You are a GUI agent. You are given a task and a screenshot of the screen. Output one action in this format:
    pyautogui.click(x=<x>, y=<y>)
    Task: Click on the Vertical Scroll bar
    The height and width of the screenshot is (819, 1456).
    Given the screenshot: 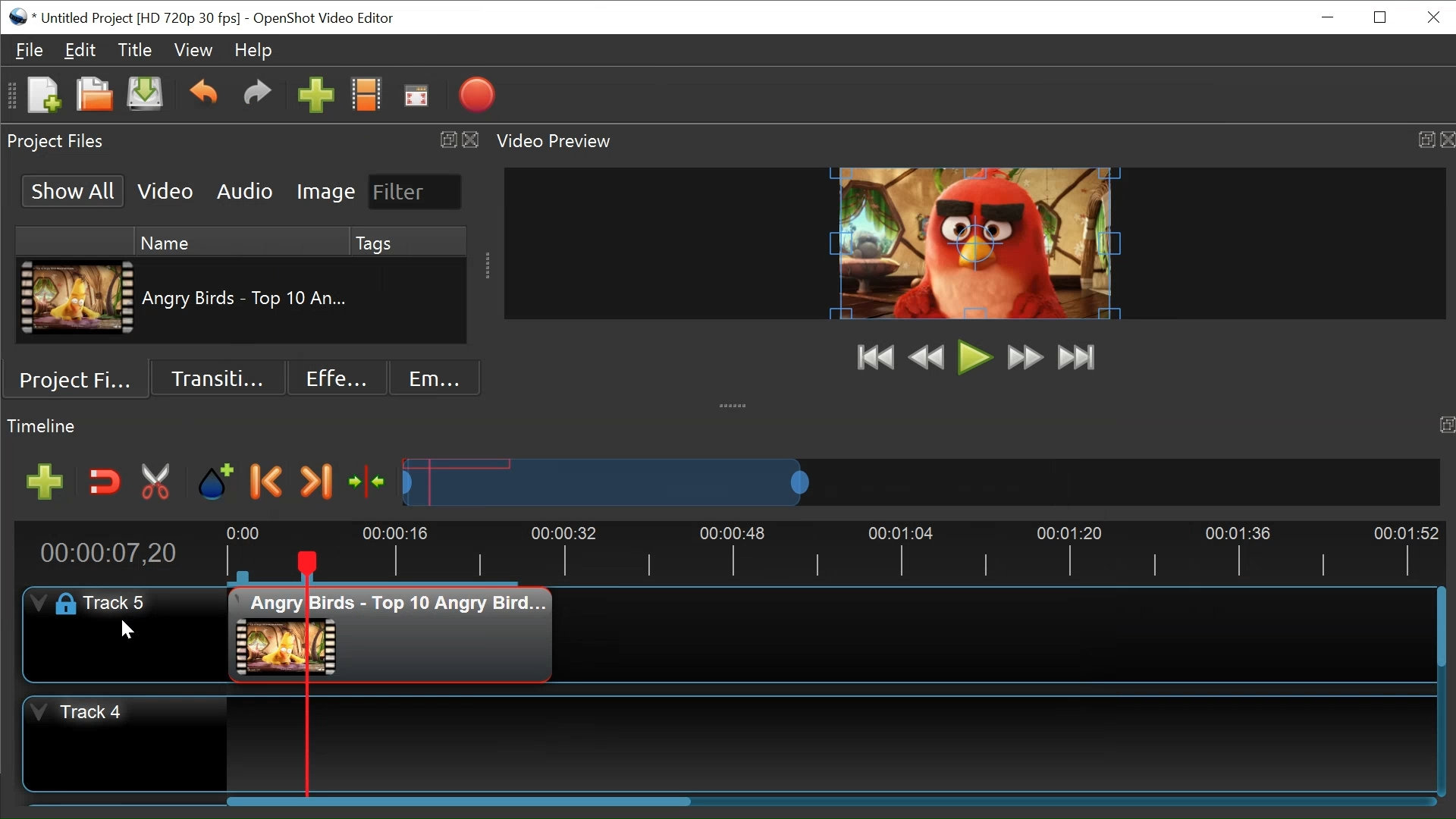 What is the action you would take?
    pyautogui.click(x=1439, y=626)
    